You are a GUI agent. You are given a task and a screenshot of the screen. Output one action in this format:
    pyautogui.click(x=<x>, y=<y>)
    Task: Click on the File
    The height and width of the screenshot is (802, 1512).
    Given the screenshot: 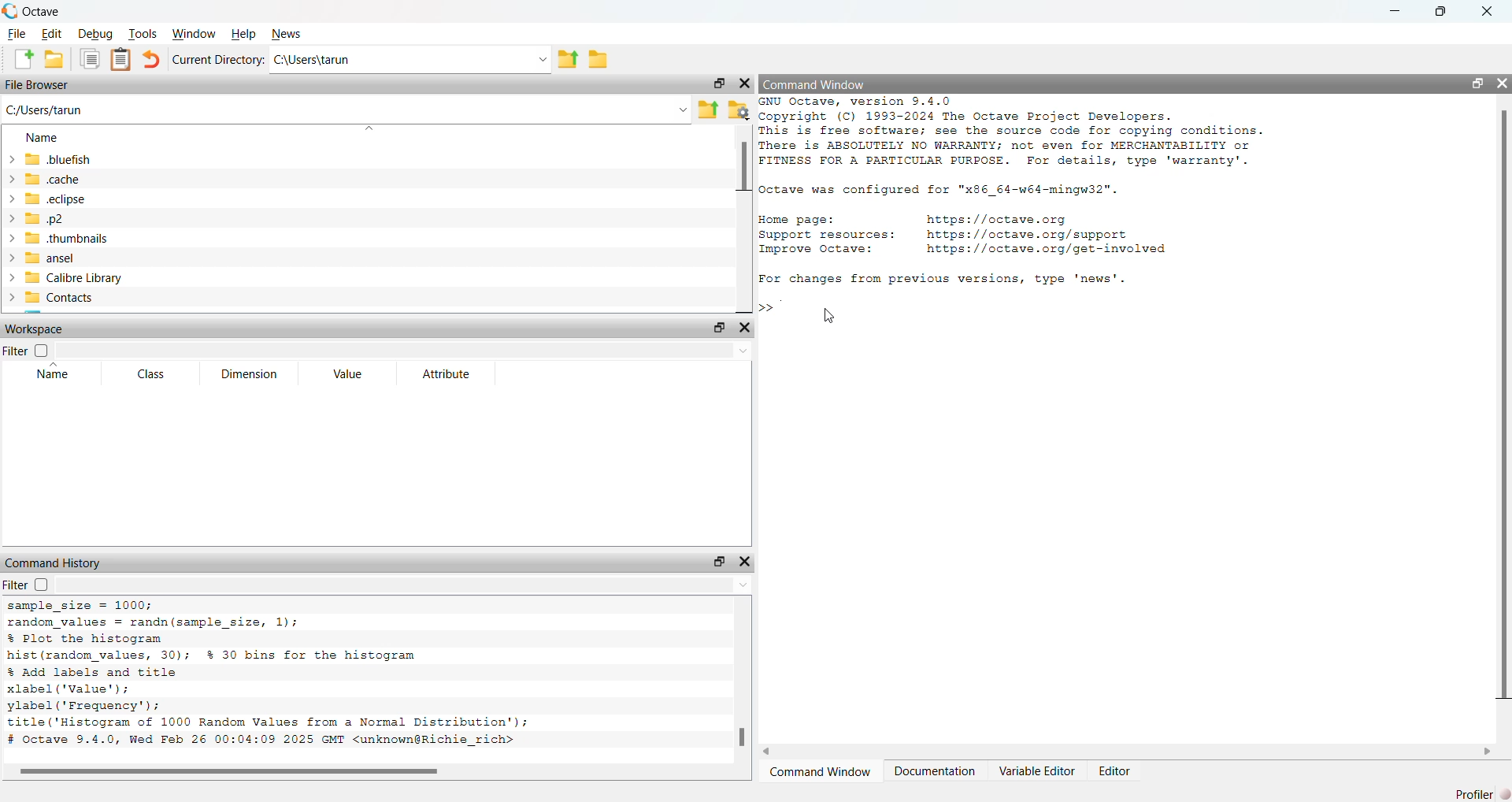 What is the action you would take?
    pyautogui.click(x=17, y=34)
    